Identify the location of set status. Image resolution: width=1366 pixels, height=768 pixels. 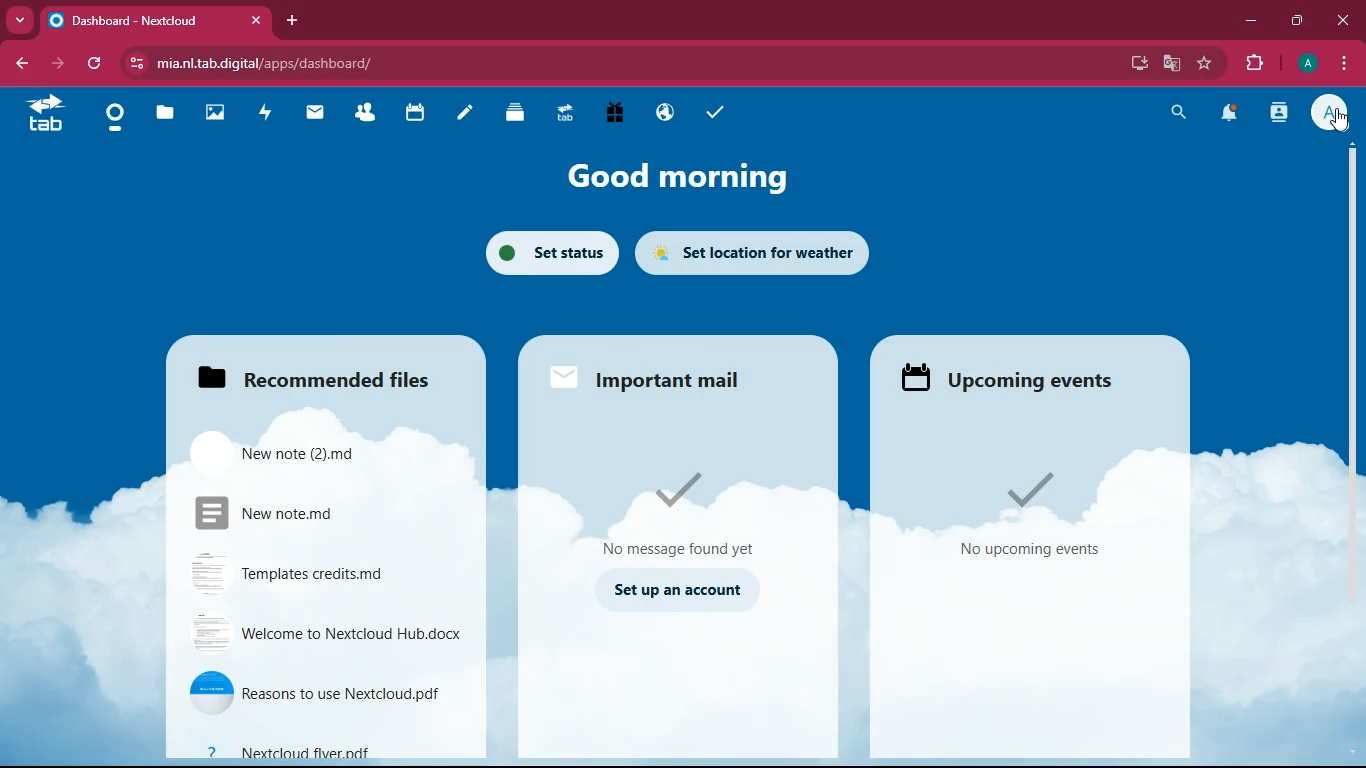
(545, 250).